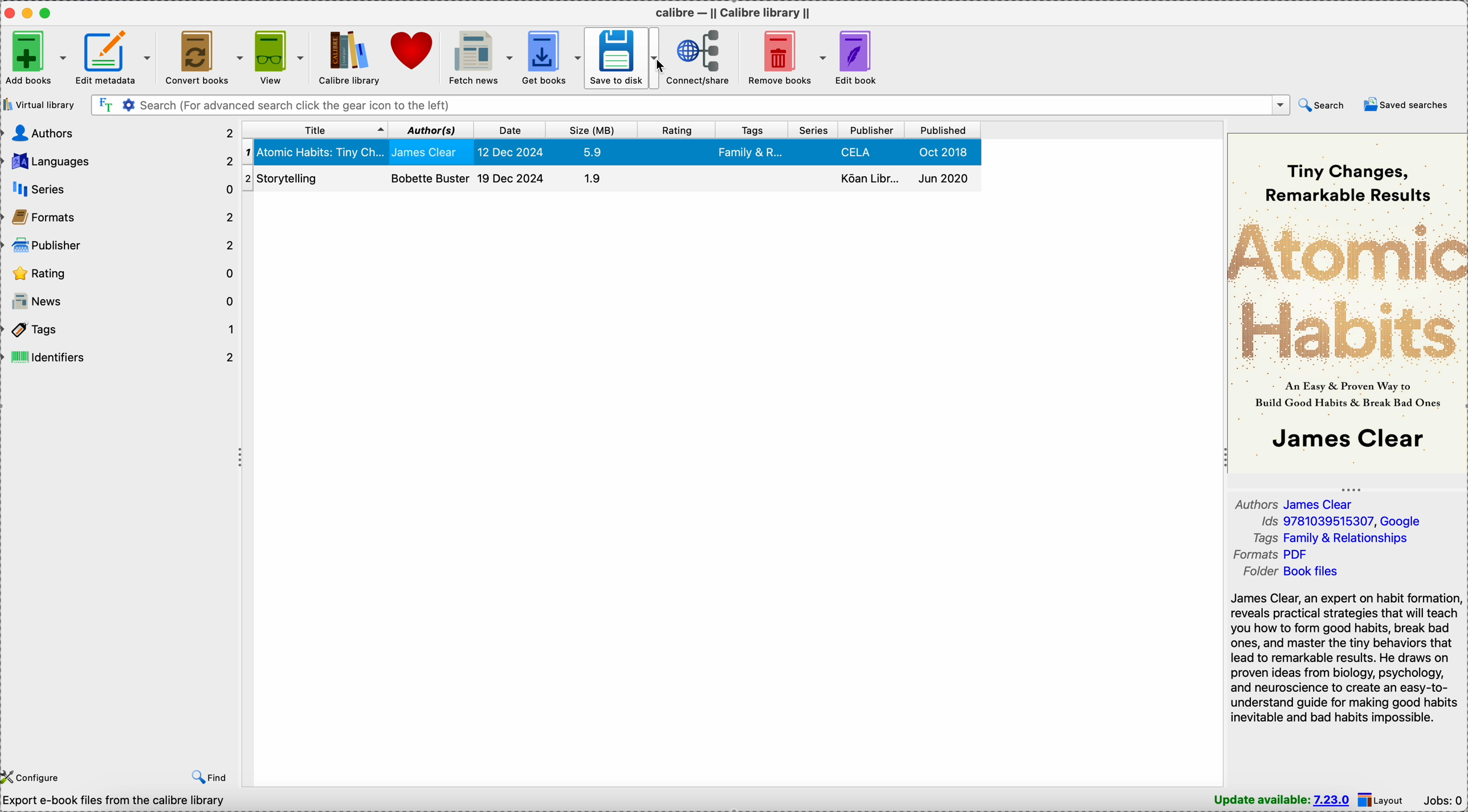  I want to click on Storytelling book details, so click(610, 181).